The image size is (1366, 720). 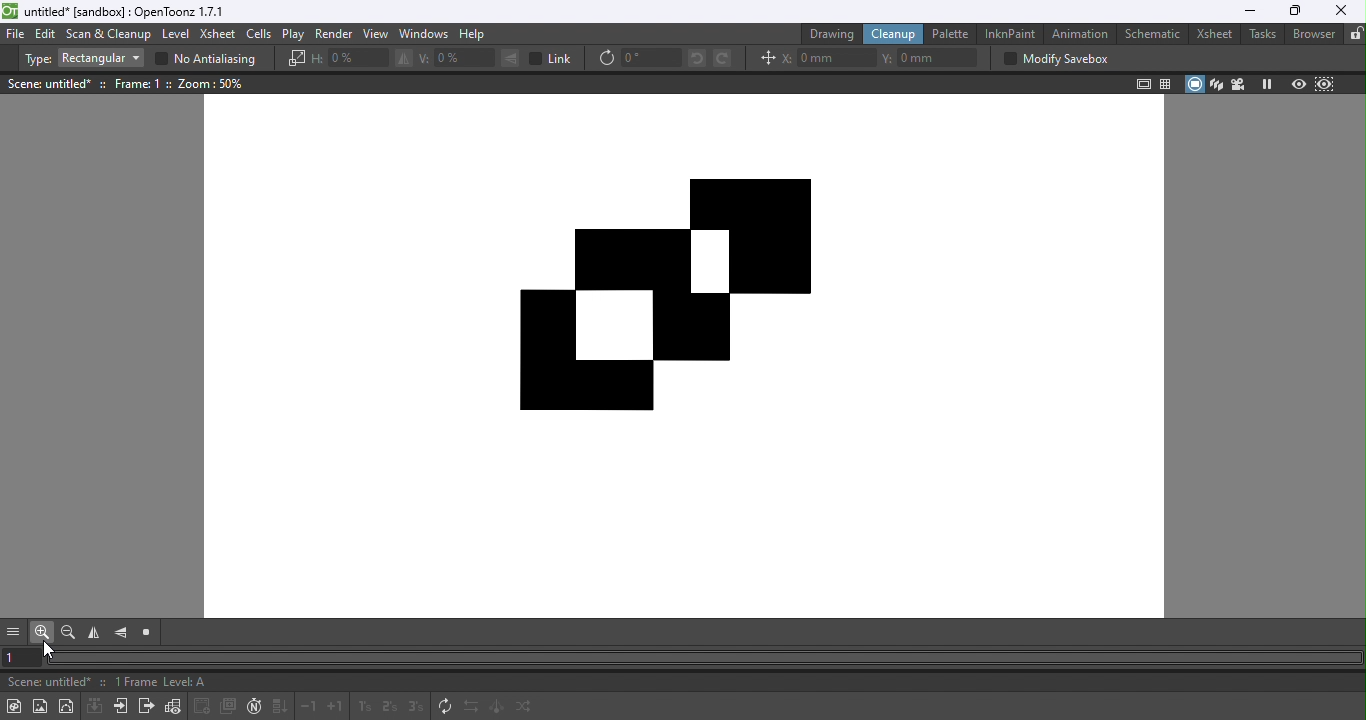 What do you see at coordinates (1299, 82) in the screenshot?
I see `Preview` at bounding box center [1299, 82].